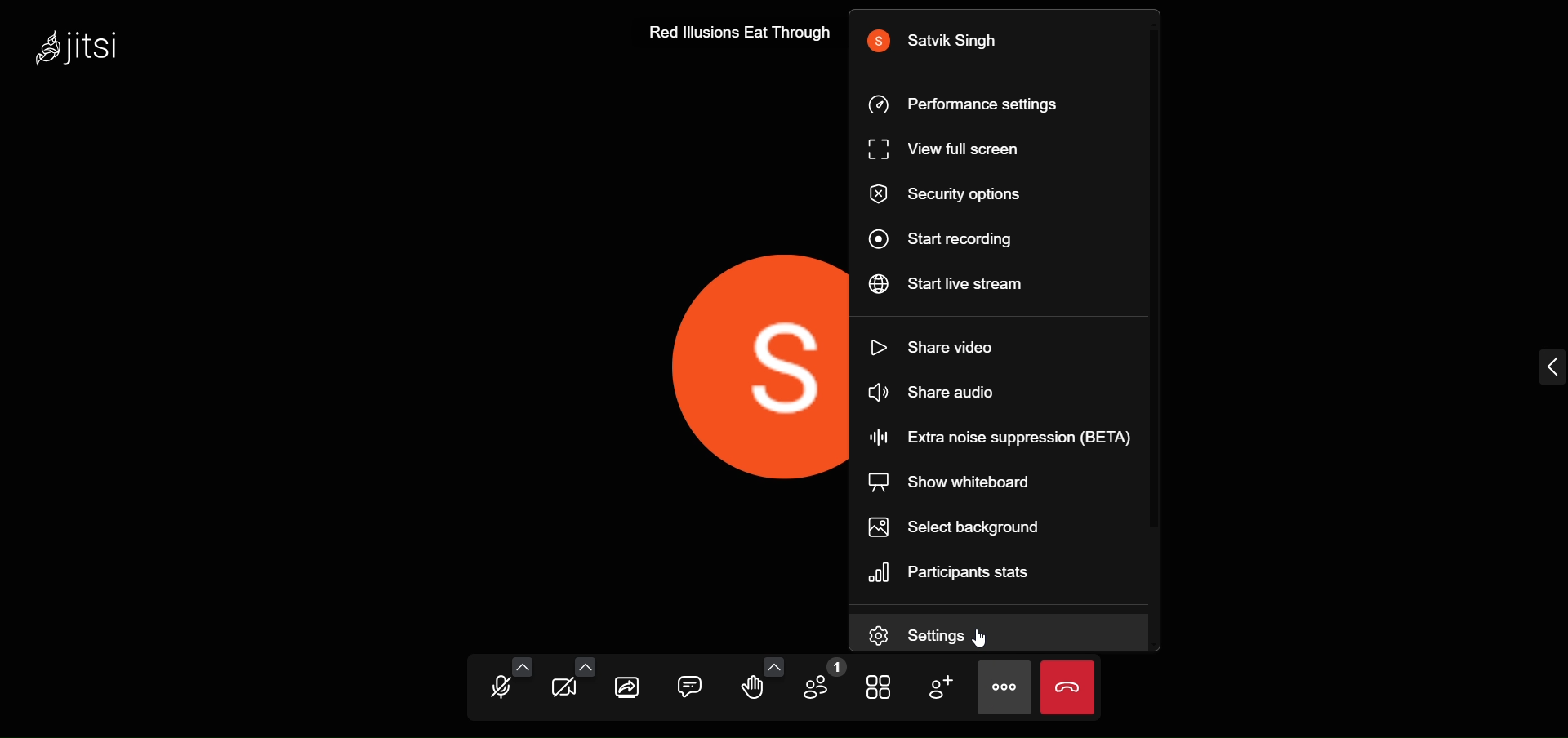  What do you see at coordinates (952, 193) in the screenshot?
I see `security option` at bounding box center [952, 193].